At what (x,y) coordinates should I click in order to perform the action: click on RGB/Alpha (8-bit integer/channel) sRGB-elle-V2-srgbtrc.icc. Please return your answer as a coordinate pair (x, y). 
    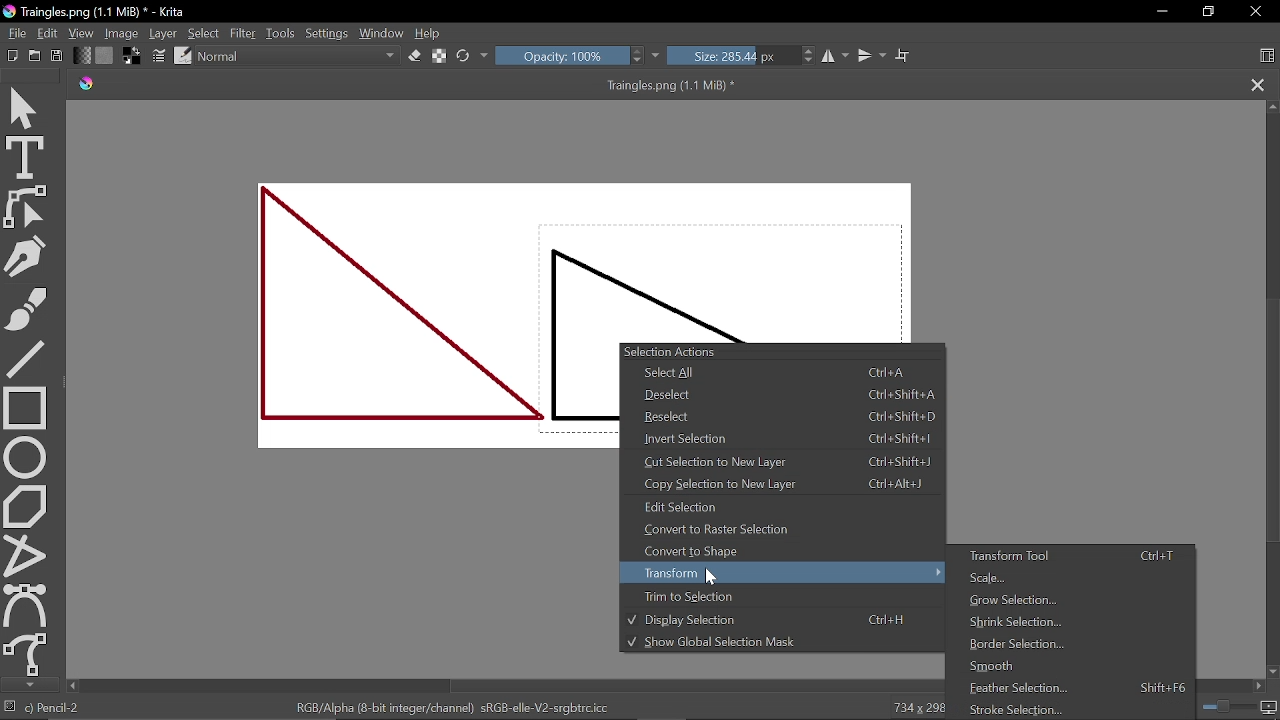
    Looking at the image, I should click on (450, 708).